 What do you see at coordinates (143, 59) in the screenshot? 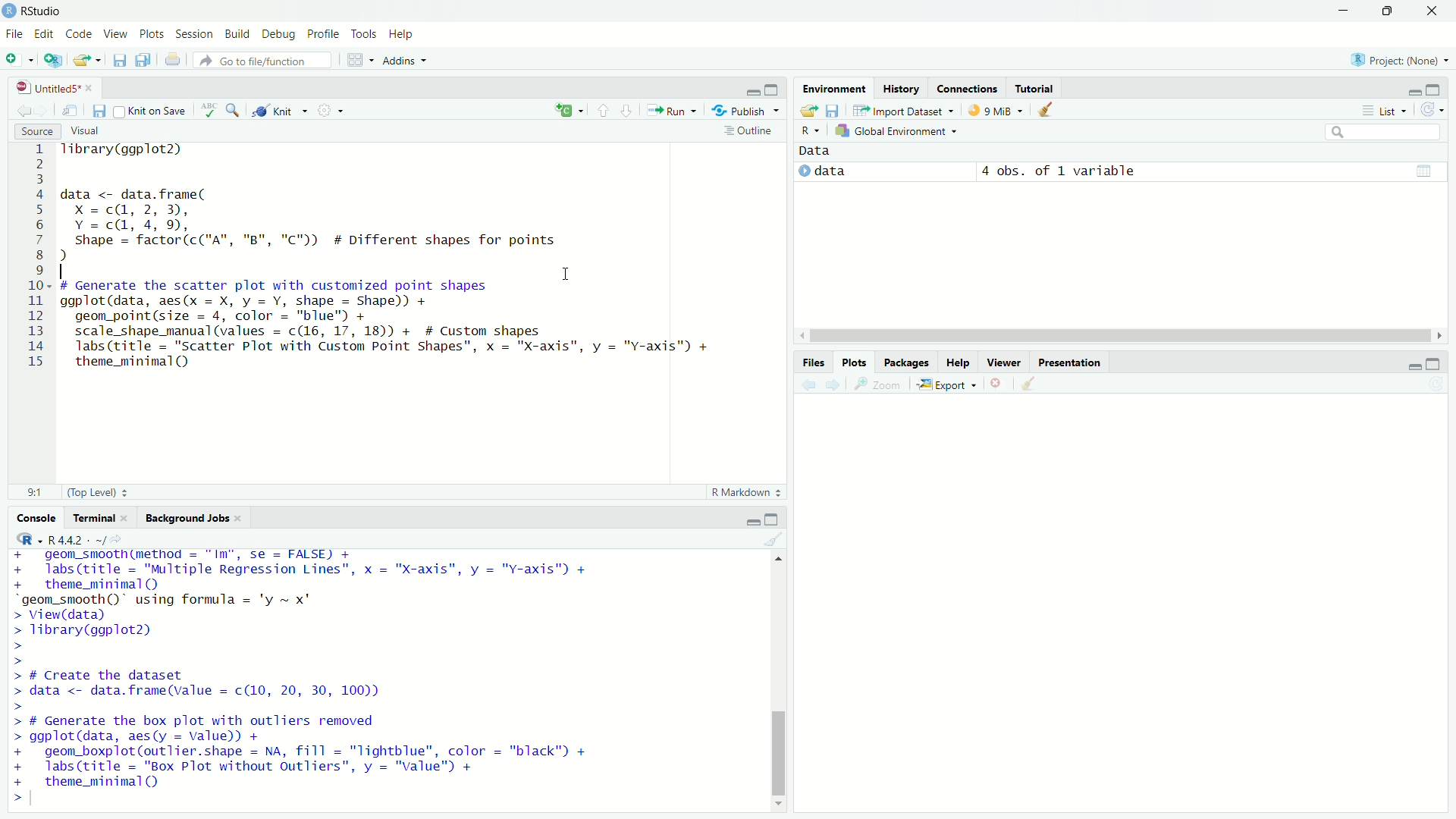
I see `Save all open documents` at bounding box center [143, 59].